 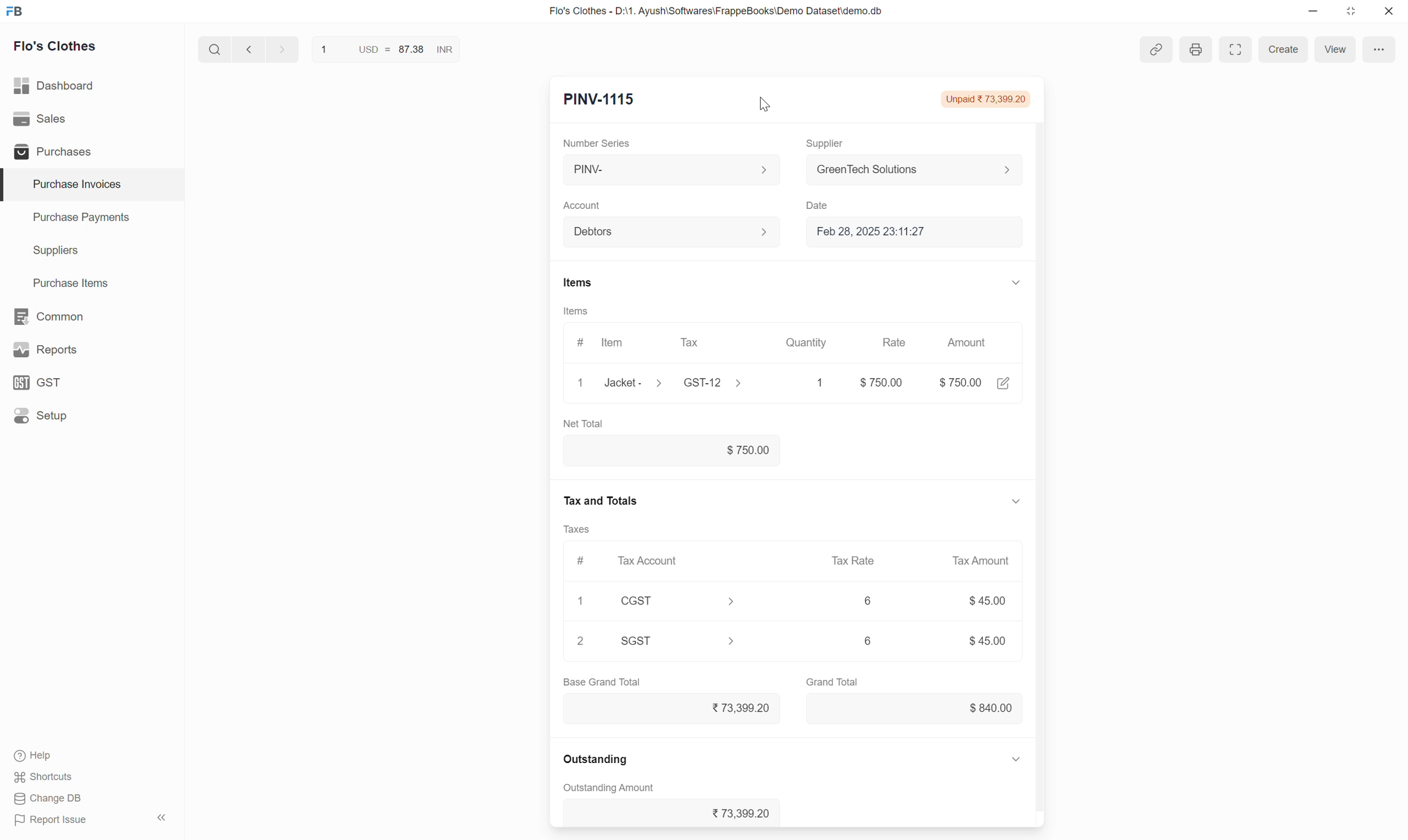 I want to click on Shortcuts, so click(x=45, y=777).